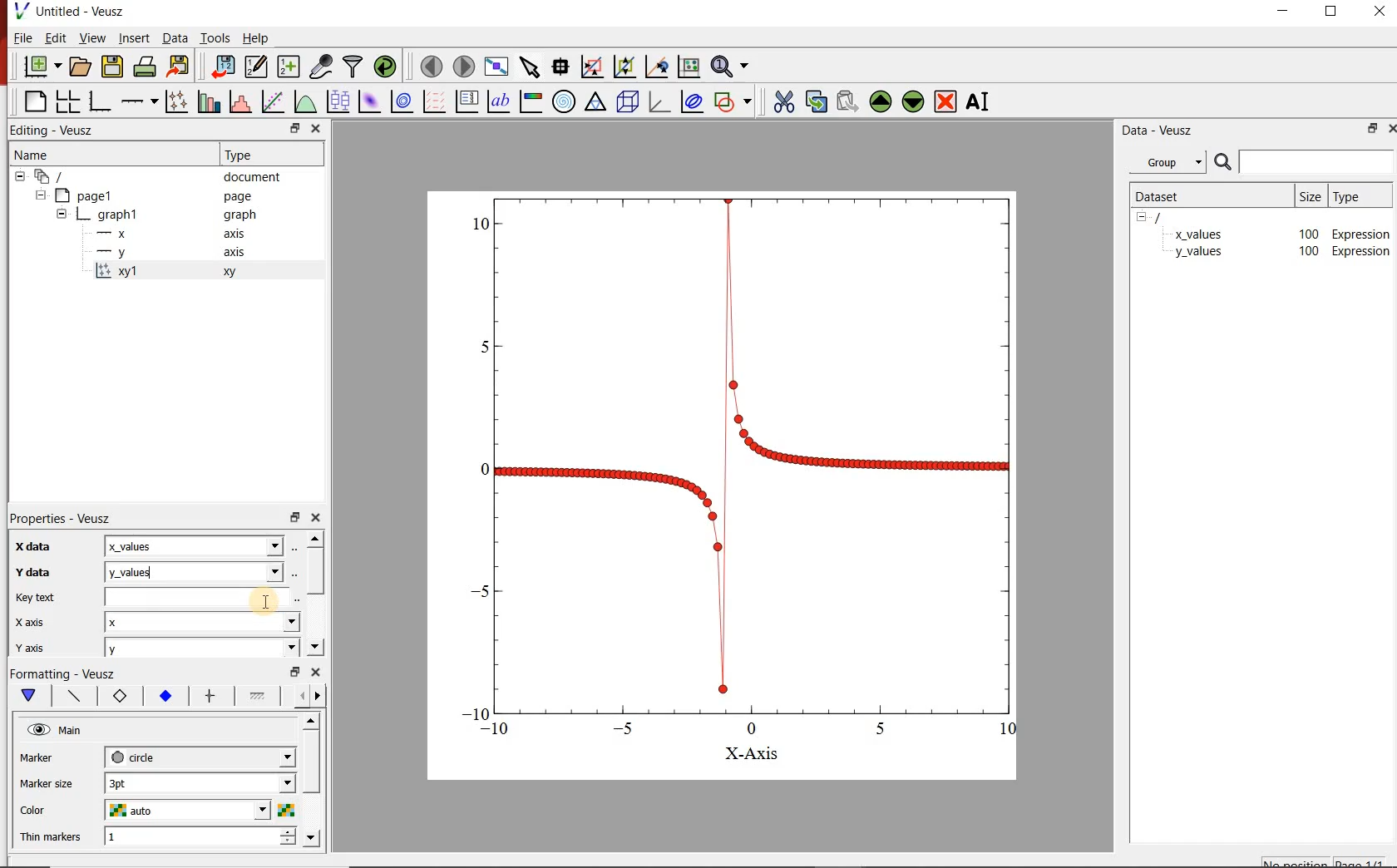 This screenshot has height=868, width=1397. What do you see at coordinates (91, 194) in the screenshot?
I see `page1` at bounding box center [91, 194].